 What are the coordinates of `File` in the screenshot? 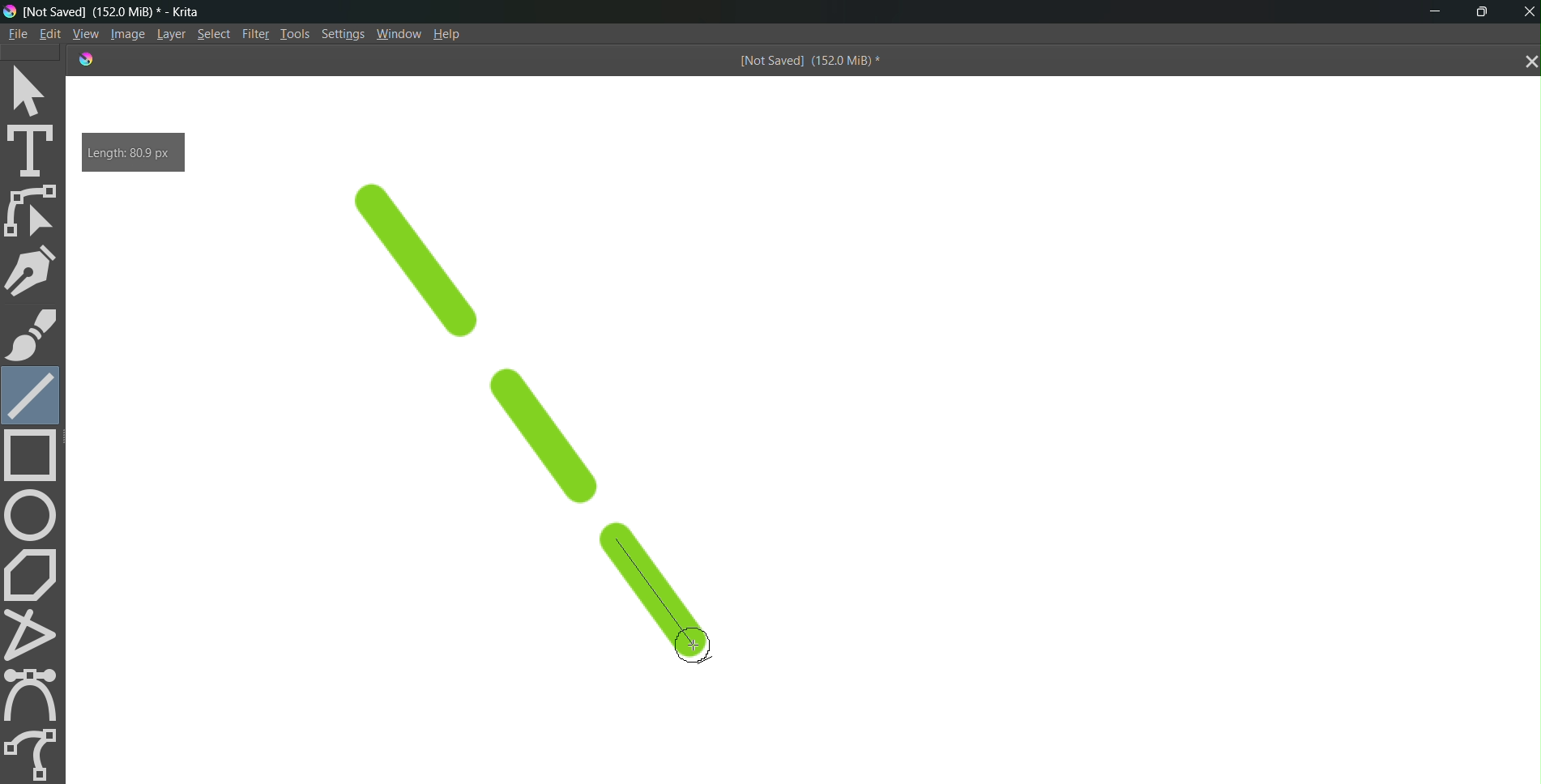 It's located at (16, 33).